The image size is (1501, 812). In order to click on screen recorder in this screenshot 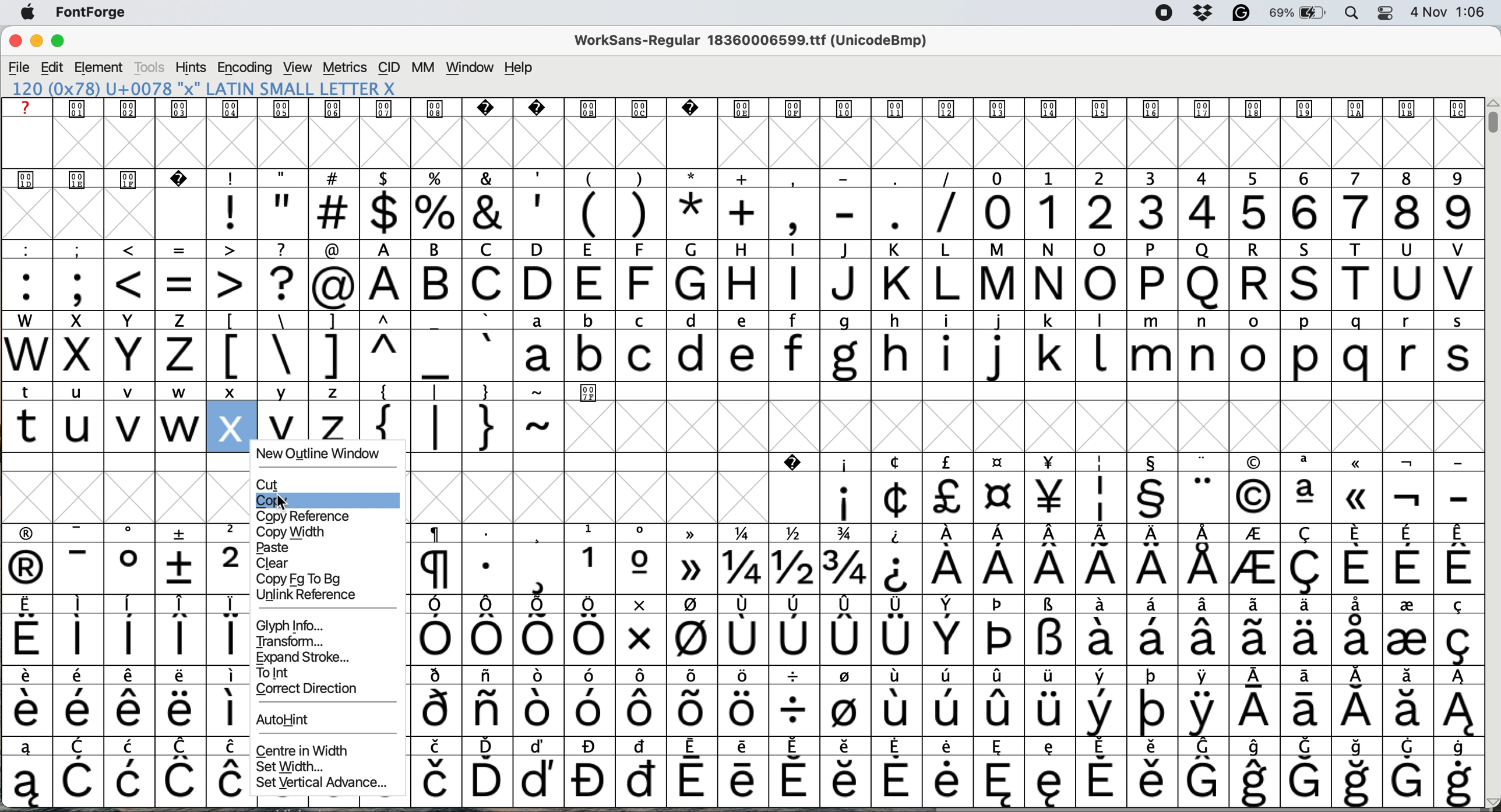, I will do `click(1160, 13)`.